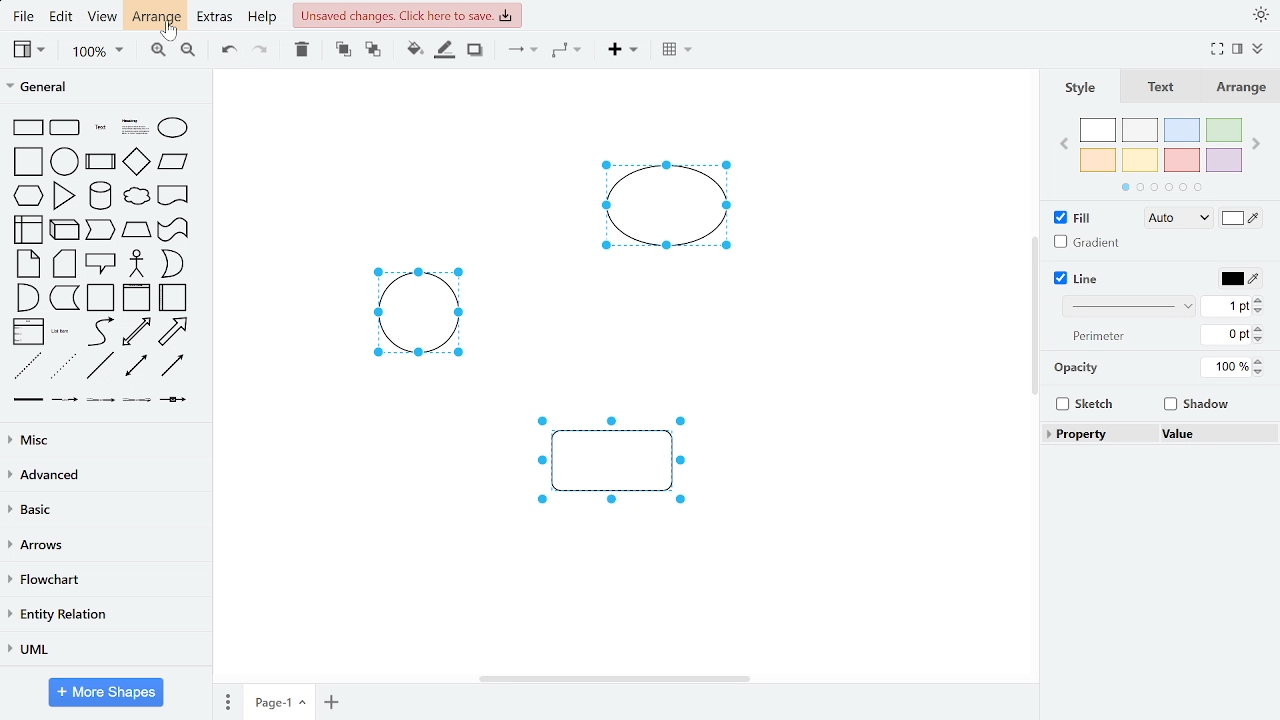 This screenshot has width=1280, height=720. I want to click on insert page, so click(331, 701).